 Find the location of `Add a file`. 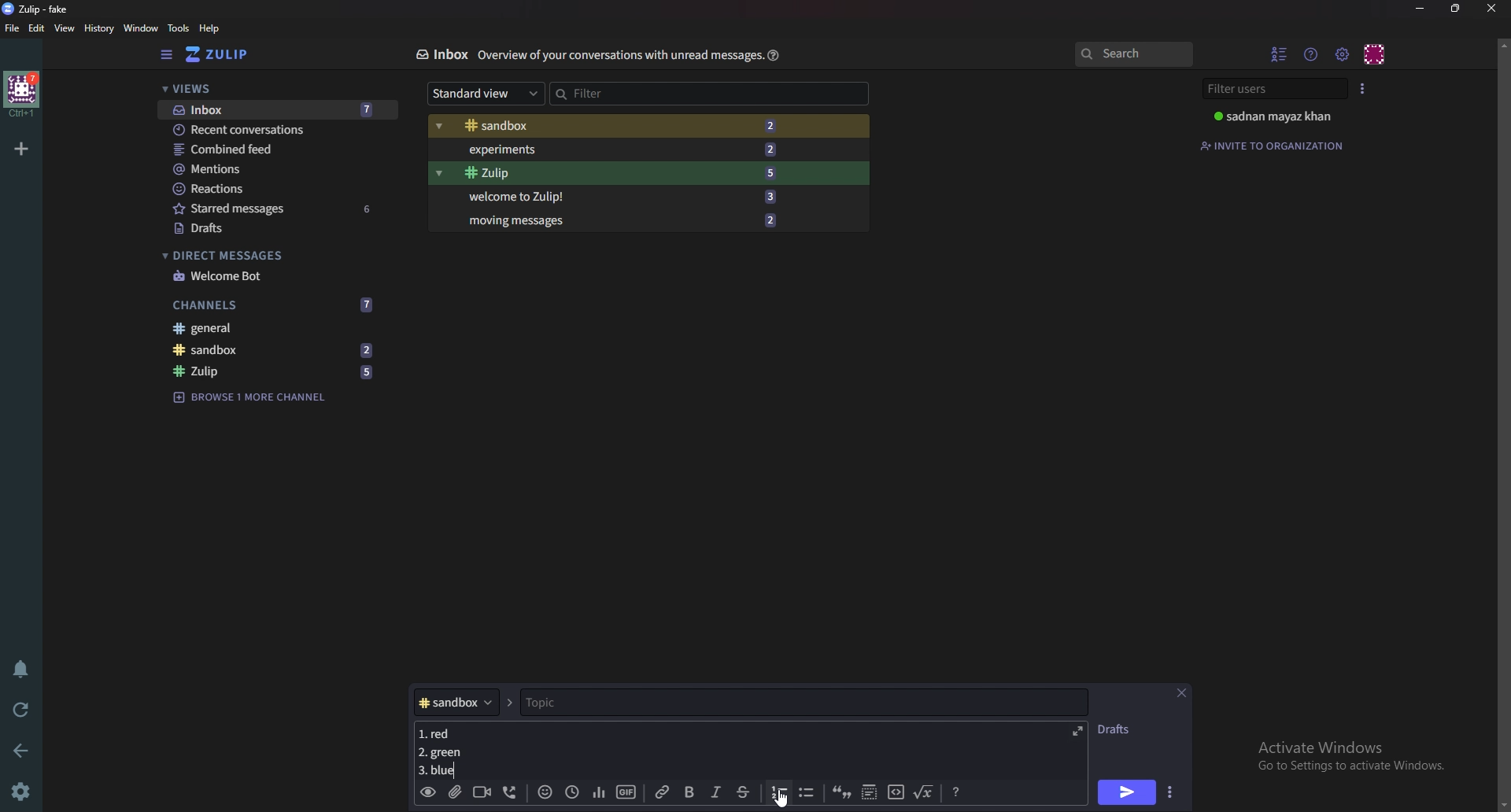

Add a file is located at coordinates (453, 794).